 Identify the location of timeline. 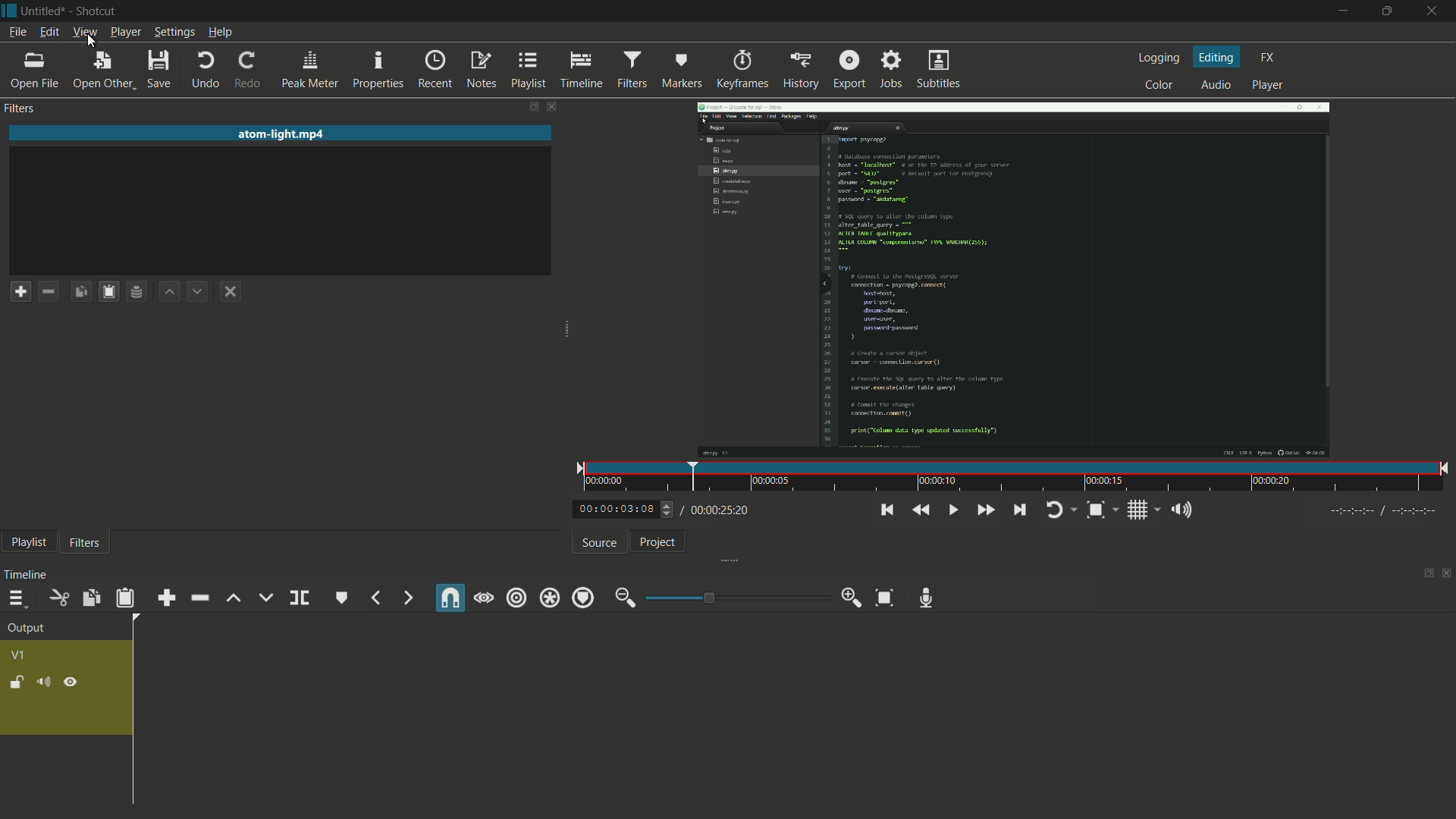
(579, 67).